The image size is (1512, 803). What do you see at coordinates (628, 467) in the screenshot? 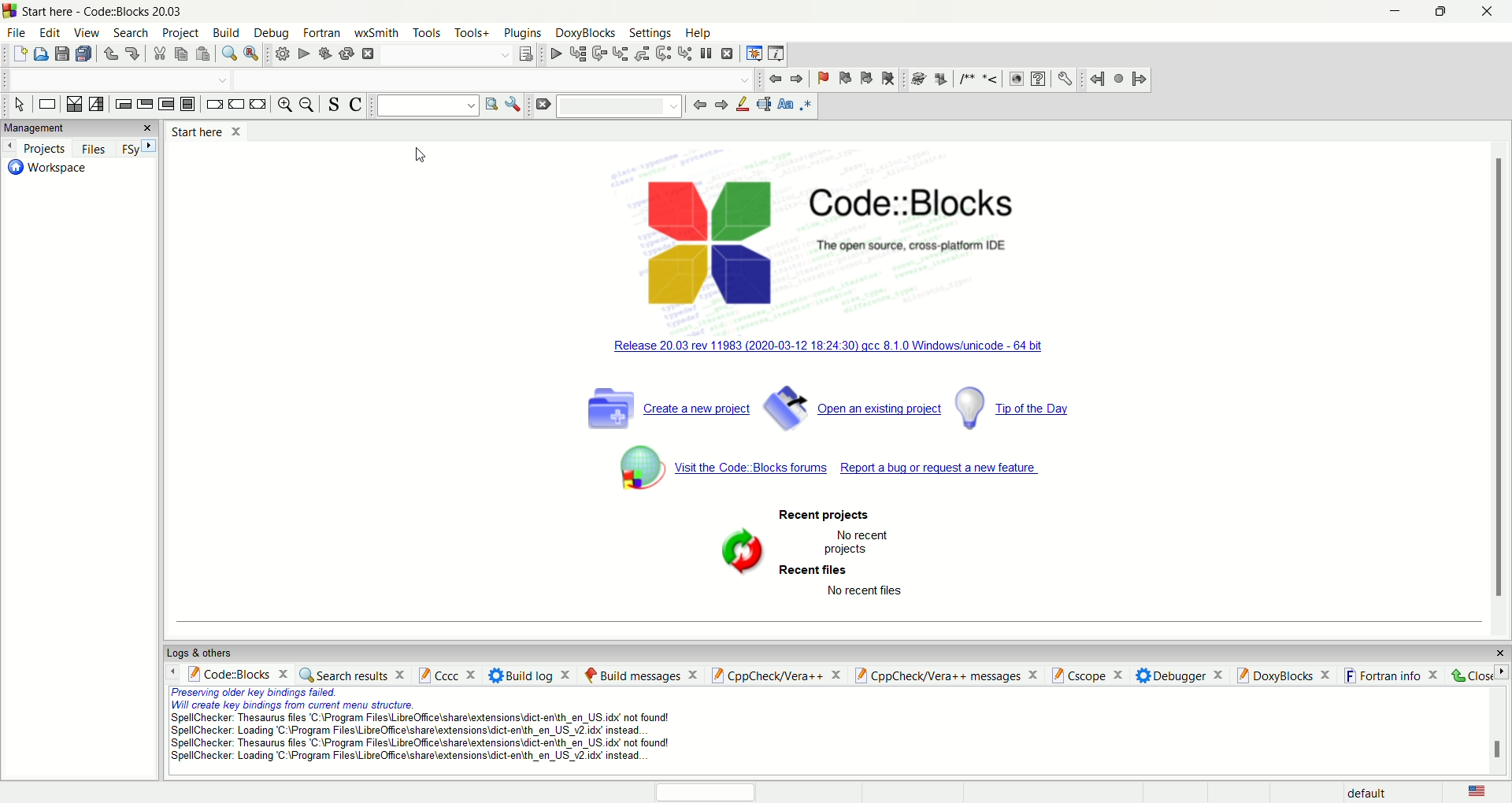
I see `symbol` at bounding box center [628, 467].